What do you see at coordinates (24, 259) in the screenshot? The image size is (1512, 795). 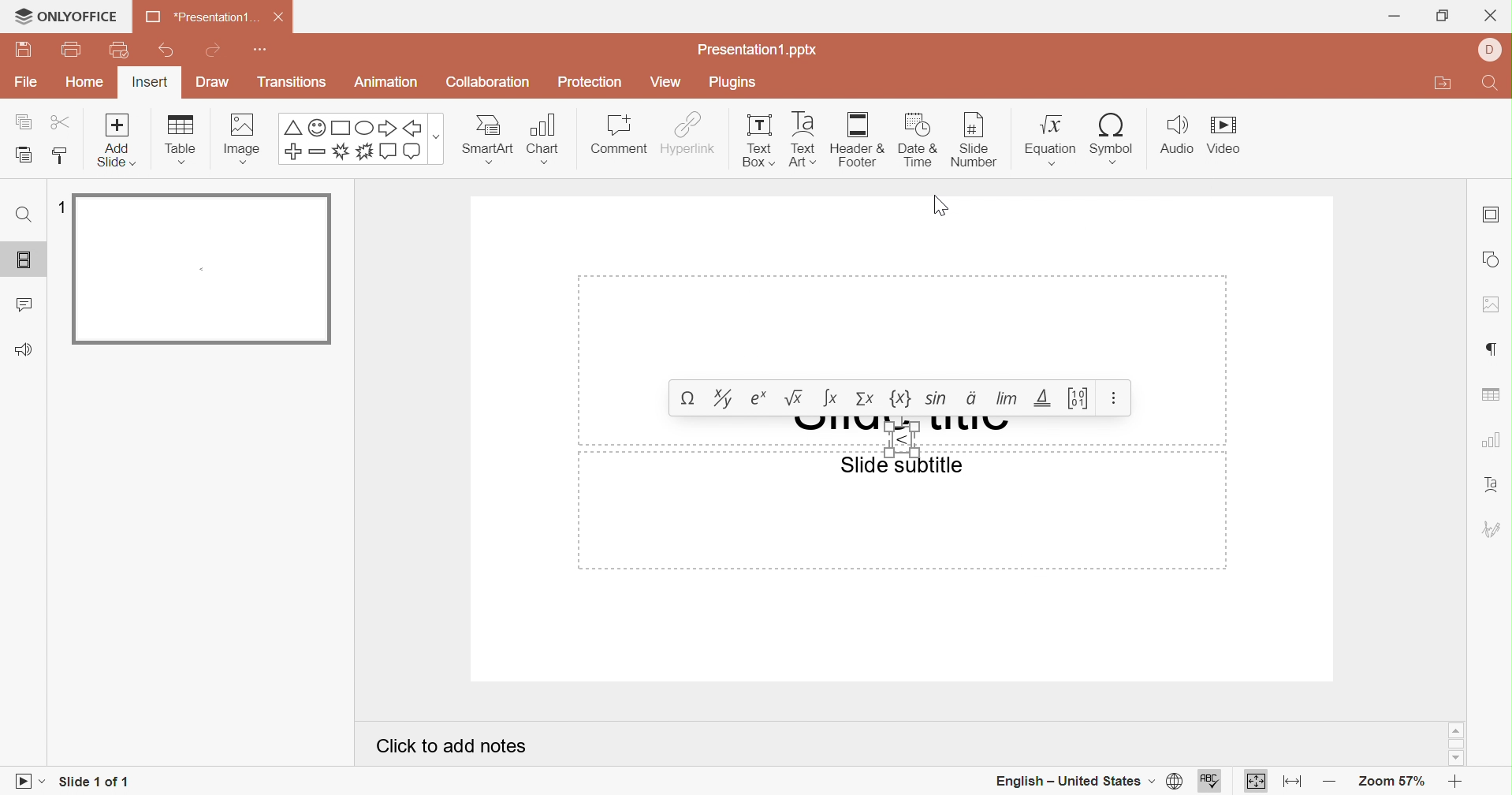 I see `Slides` at bounding box center [24, 259].